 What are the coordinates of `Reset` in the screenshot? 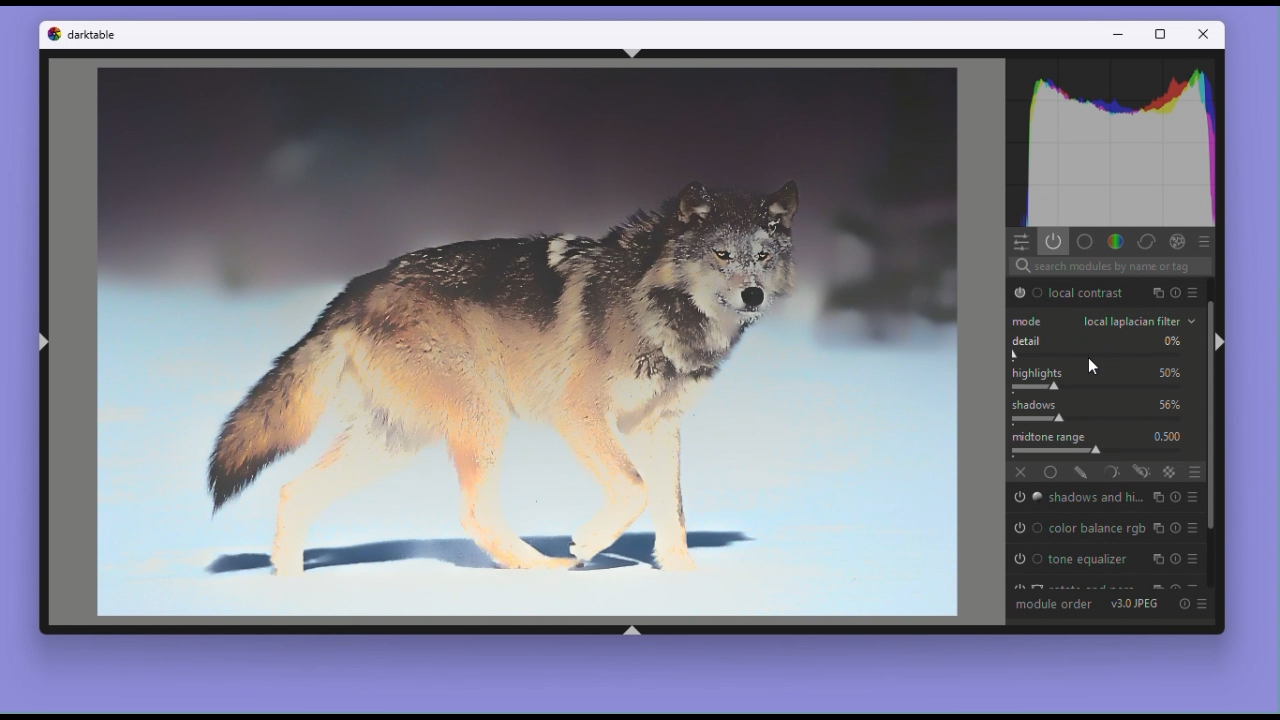 It's located at (1175, 558).